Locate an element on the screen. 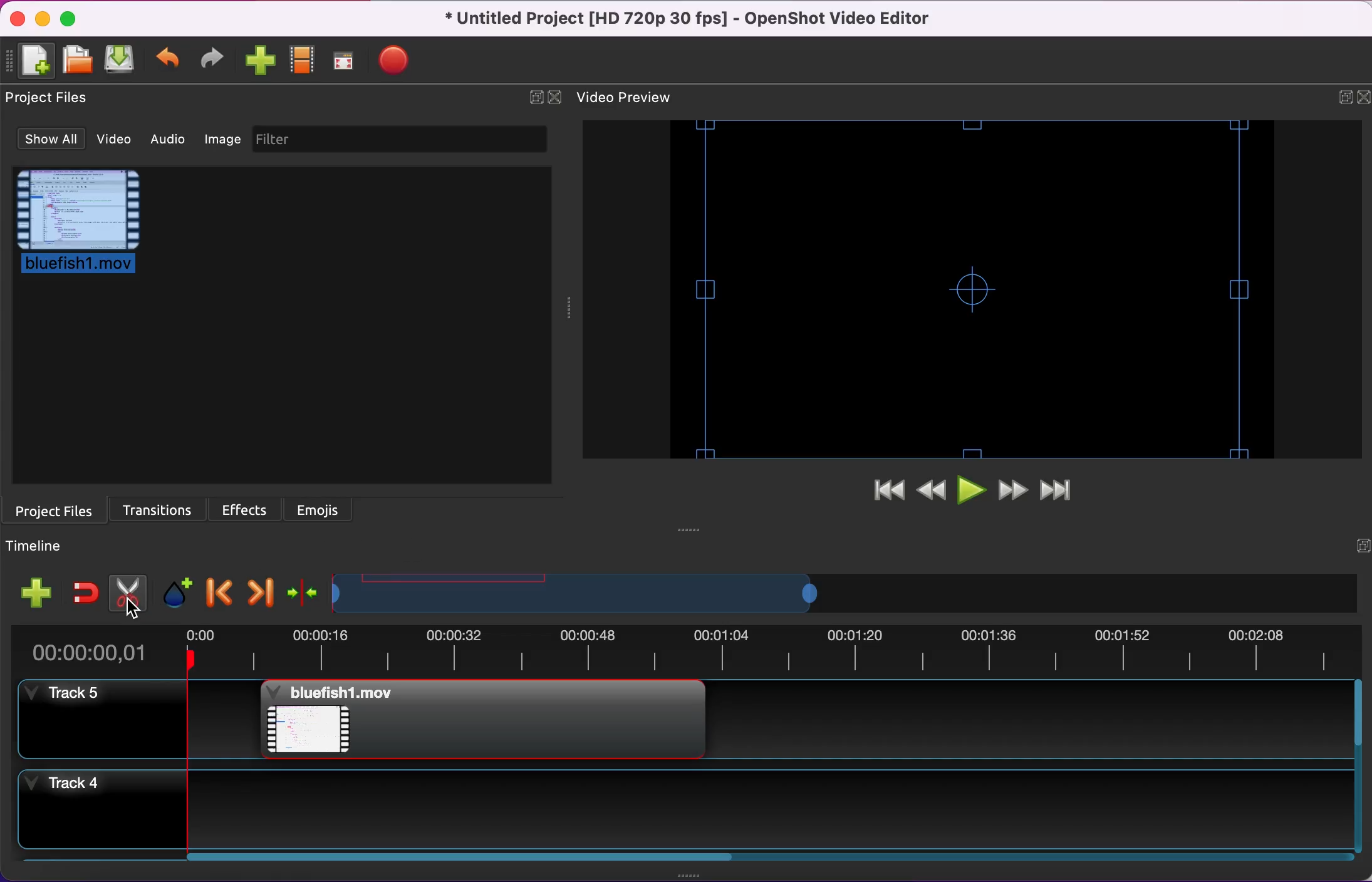  title is located at coordinates (689, 19).